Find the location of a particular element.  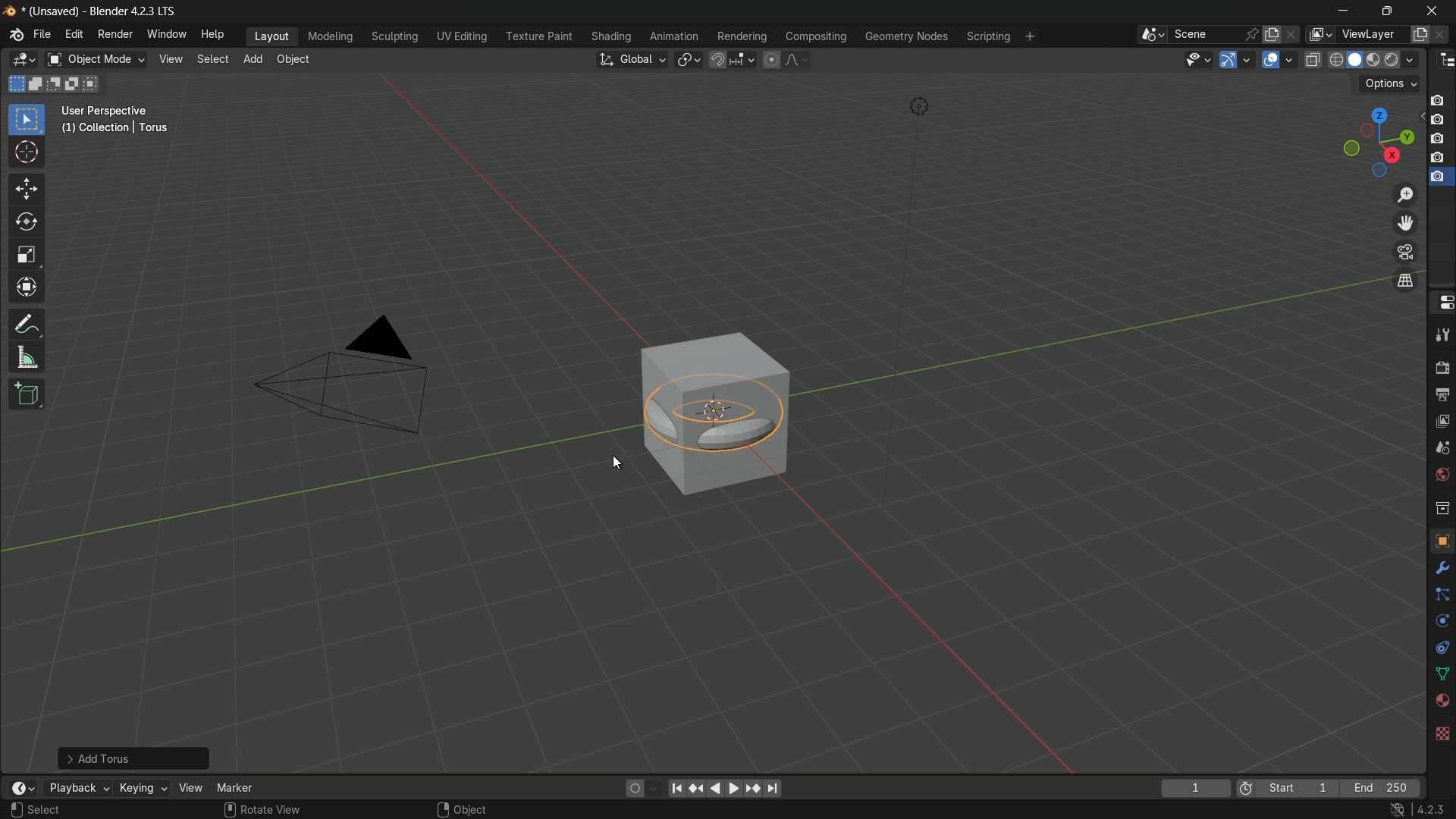

select new selection is located at coordinates (14, 84).